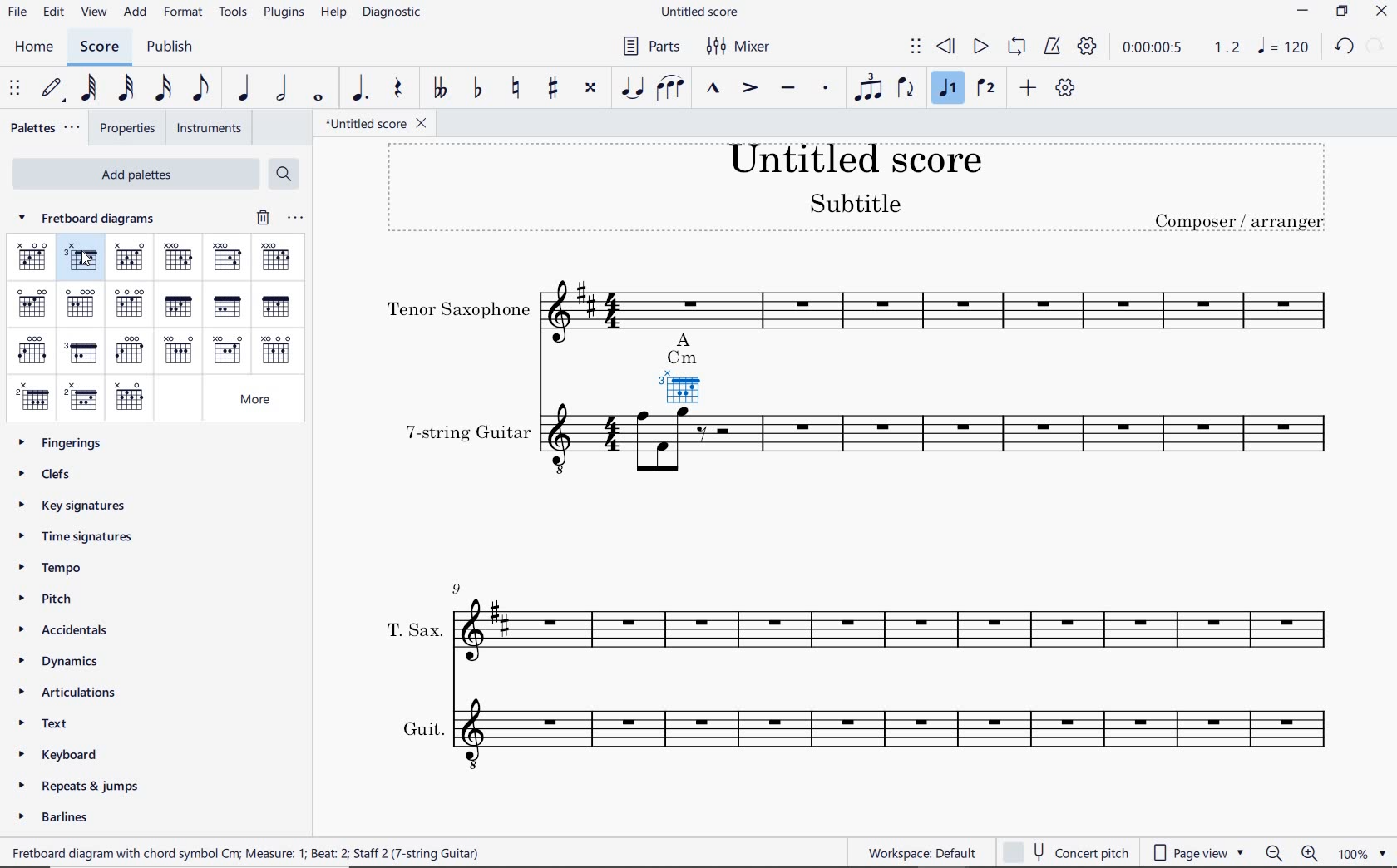 The image size is (1397, 868). What do you see at coordinates (849, 604) in the screenshot?
I see `INSTRUMENT: T.SAX` at bounding box center [849, 604].